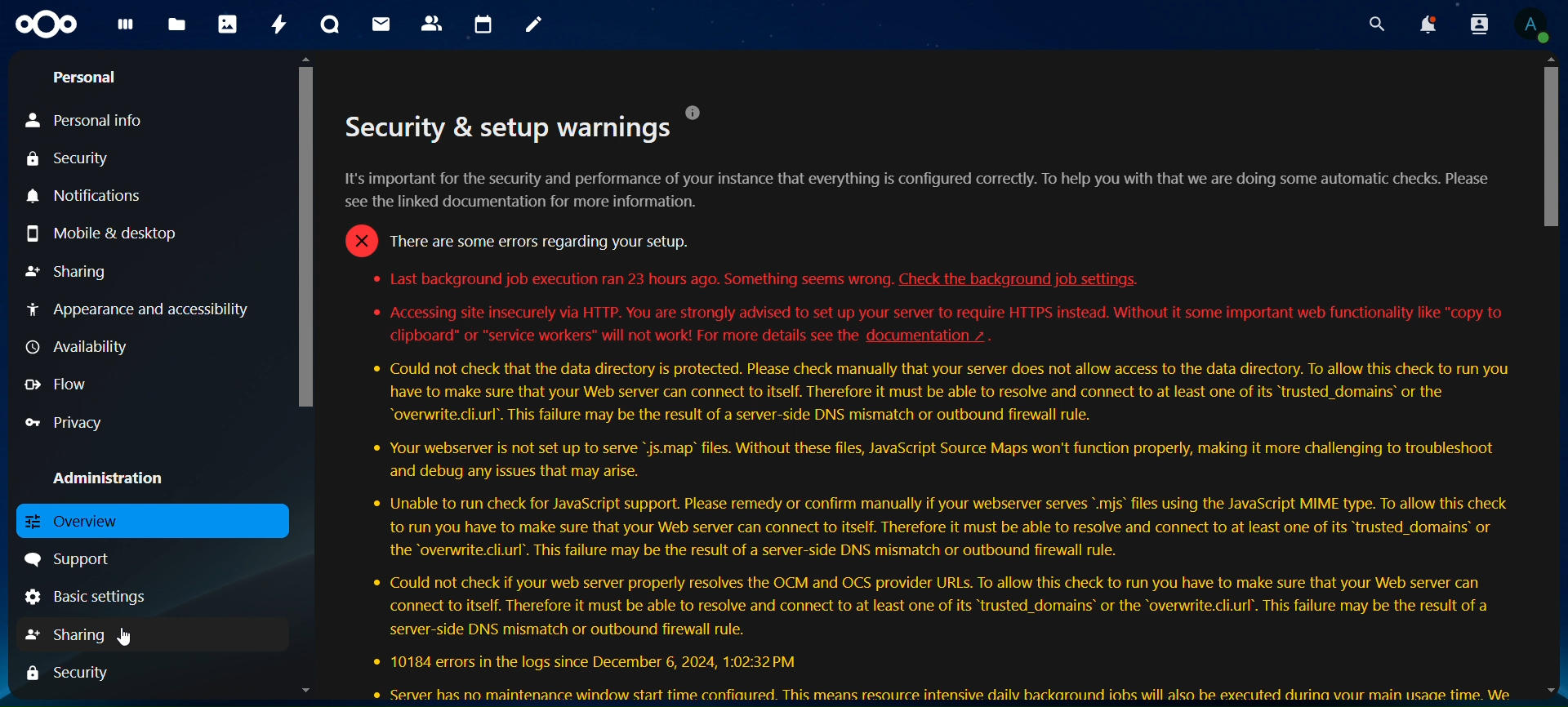 Image resolution: width=1568 pixels, height=707 pixels. Describe the element at coordinates (87, 78) in the screenshot. I see `personal` at that location.